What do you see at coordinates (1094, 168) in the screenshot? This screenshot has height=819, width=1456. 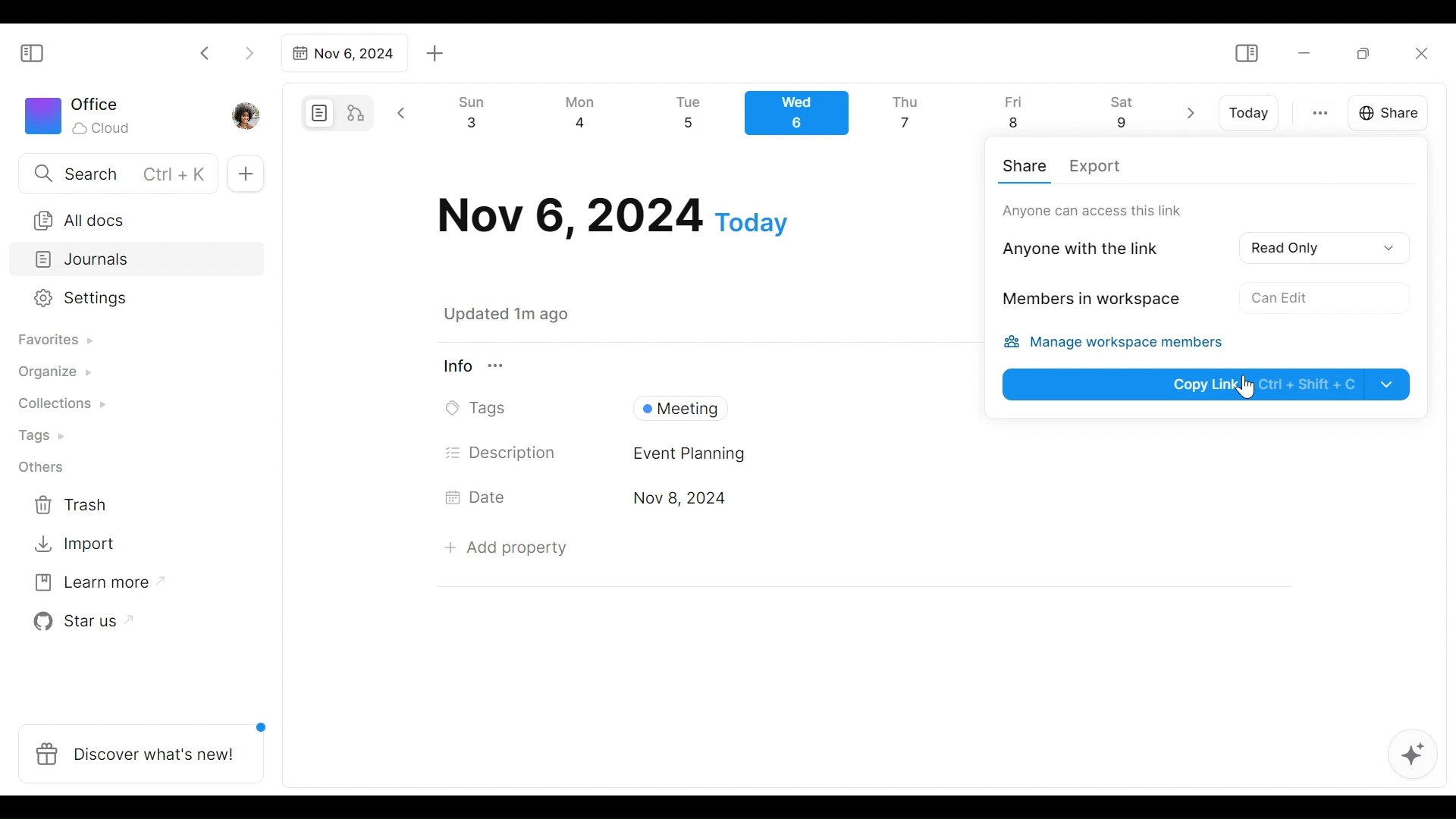 I see `Export` at bounding box center [1094, 168].